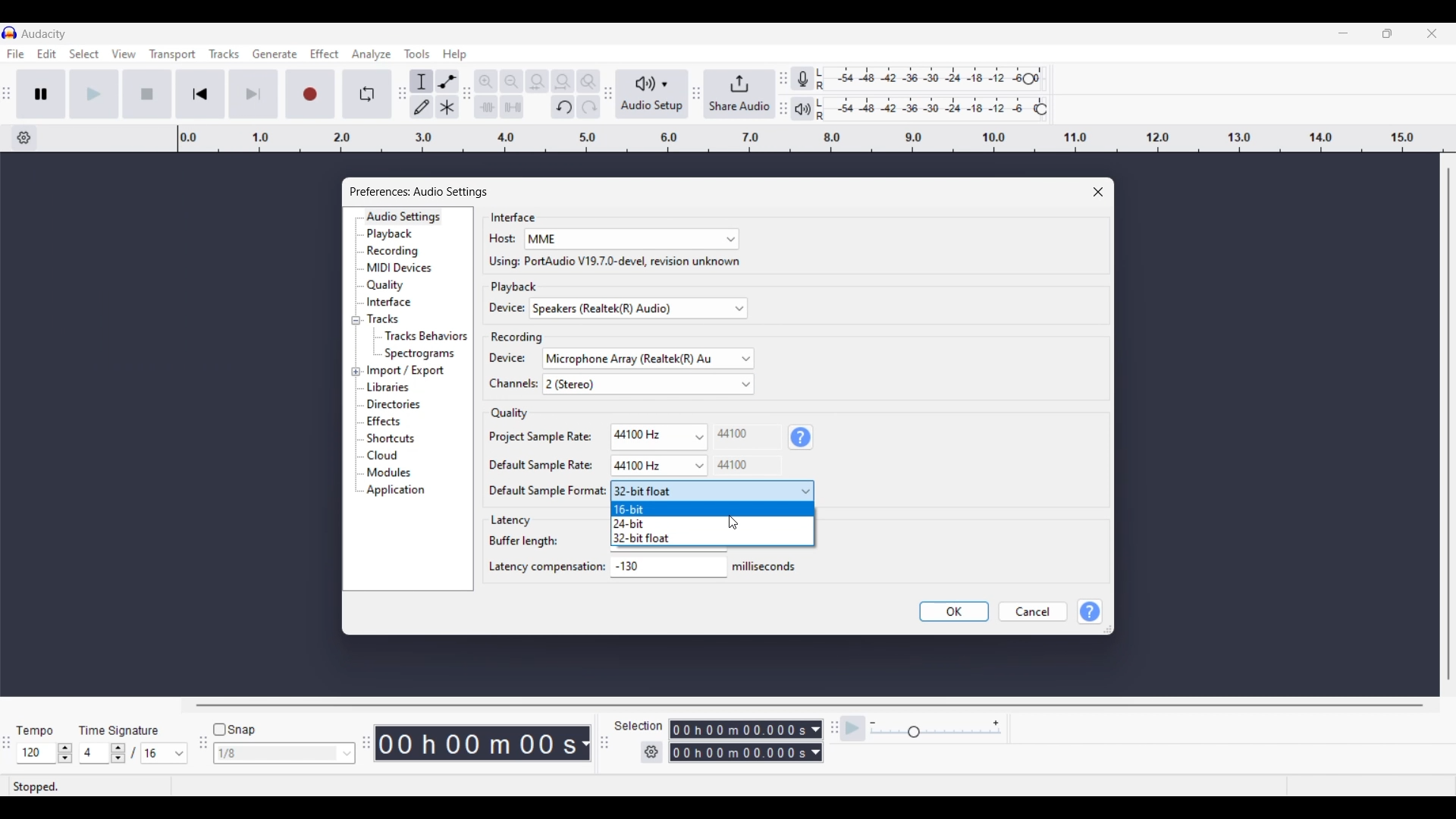 This screenshot has height=819, width=1456. Describe the element at coordinates (400, 473) in the screenshot. I see `Modules` at that location.